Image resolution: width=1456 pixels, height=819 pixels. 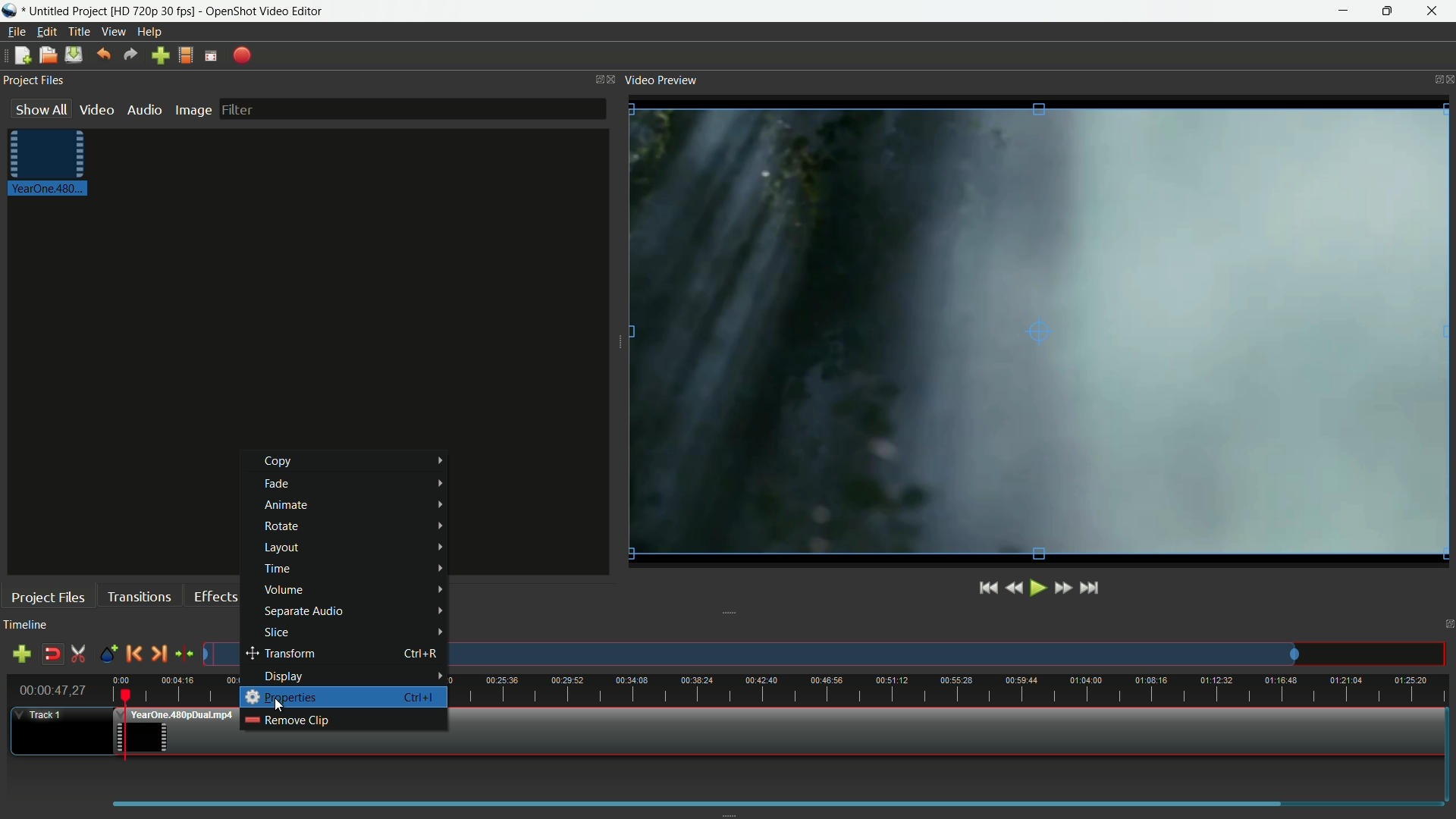 What do you see at coordinates (348, 633) in the screenshot?
I see `slice` at bounding box center [348, 633].